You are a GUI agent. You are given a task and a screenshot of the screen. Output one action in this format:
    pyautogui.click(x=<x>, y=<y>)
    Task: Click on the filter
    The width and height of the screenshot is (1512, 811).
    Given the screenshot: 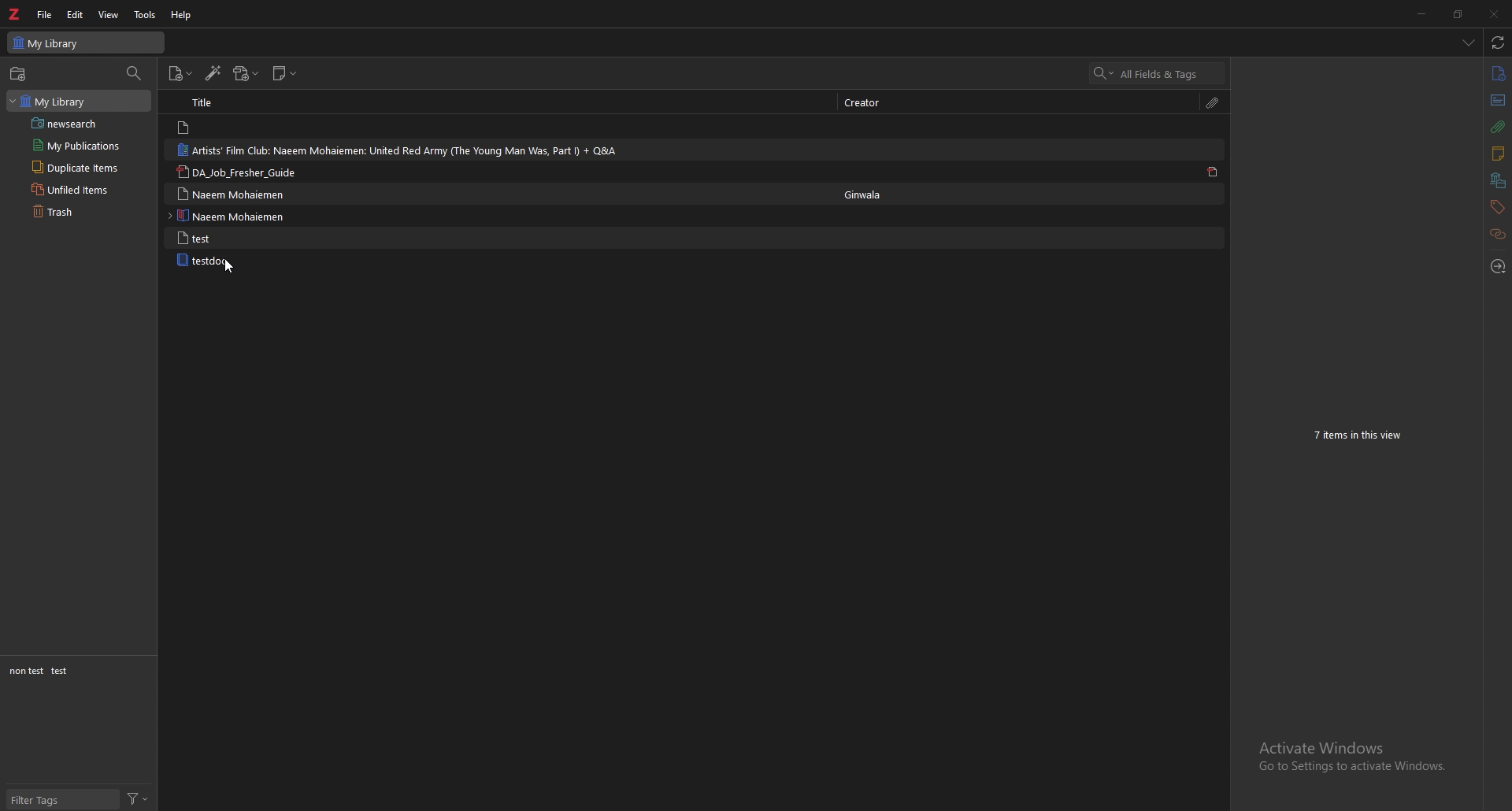 What is the action you would take?
    pyautogui.click(x=140, y=799)
    